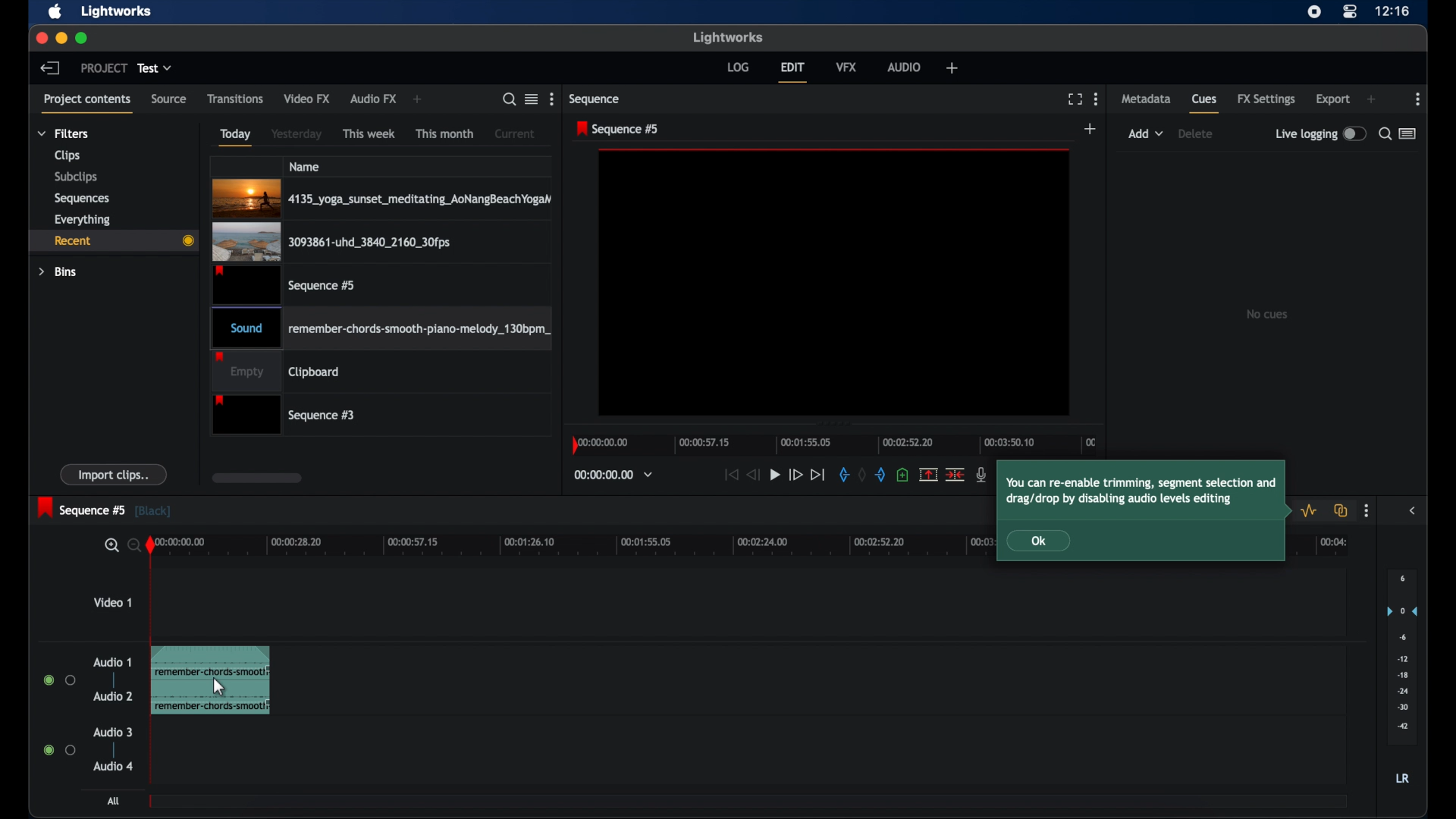 Image resolution: width=1456 pixels, height=819 pixels. I want to click on this week, so click(370, 133).